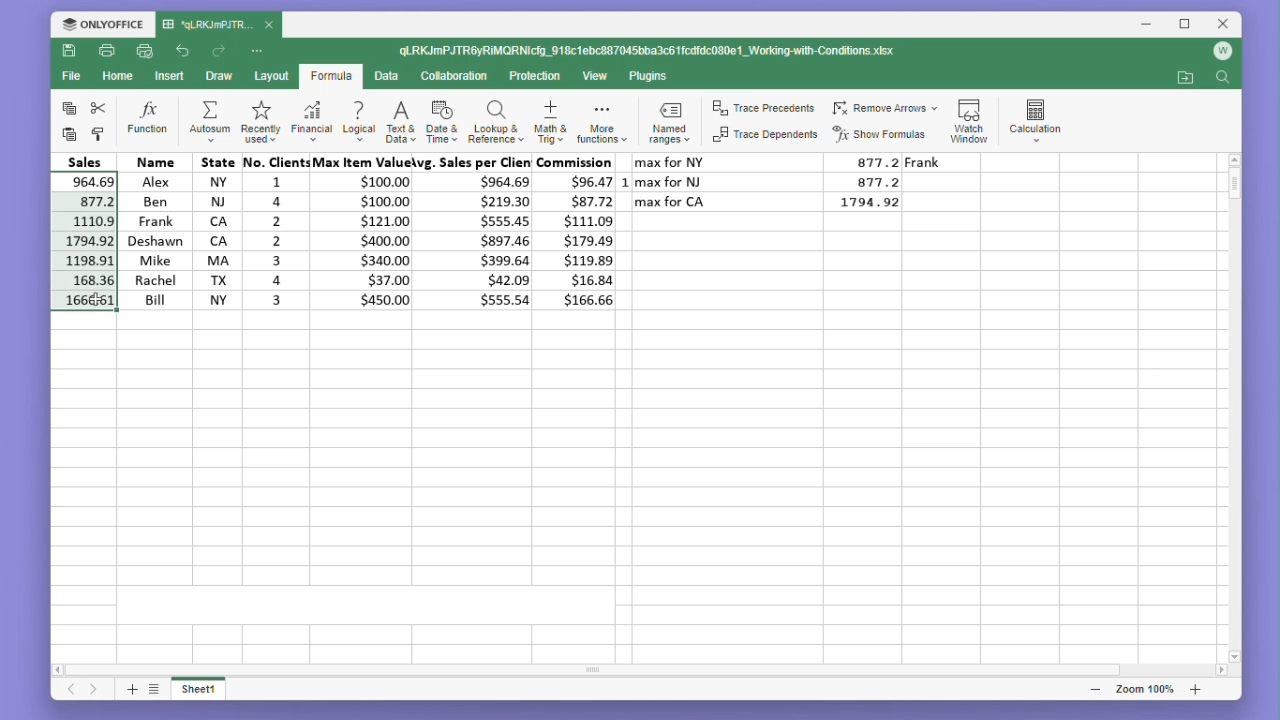 The image size is (1280, 720). What do you see at coordinates (68, 50) in the screenshot?
I see `Save ` at bounding box center [68, 50].